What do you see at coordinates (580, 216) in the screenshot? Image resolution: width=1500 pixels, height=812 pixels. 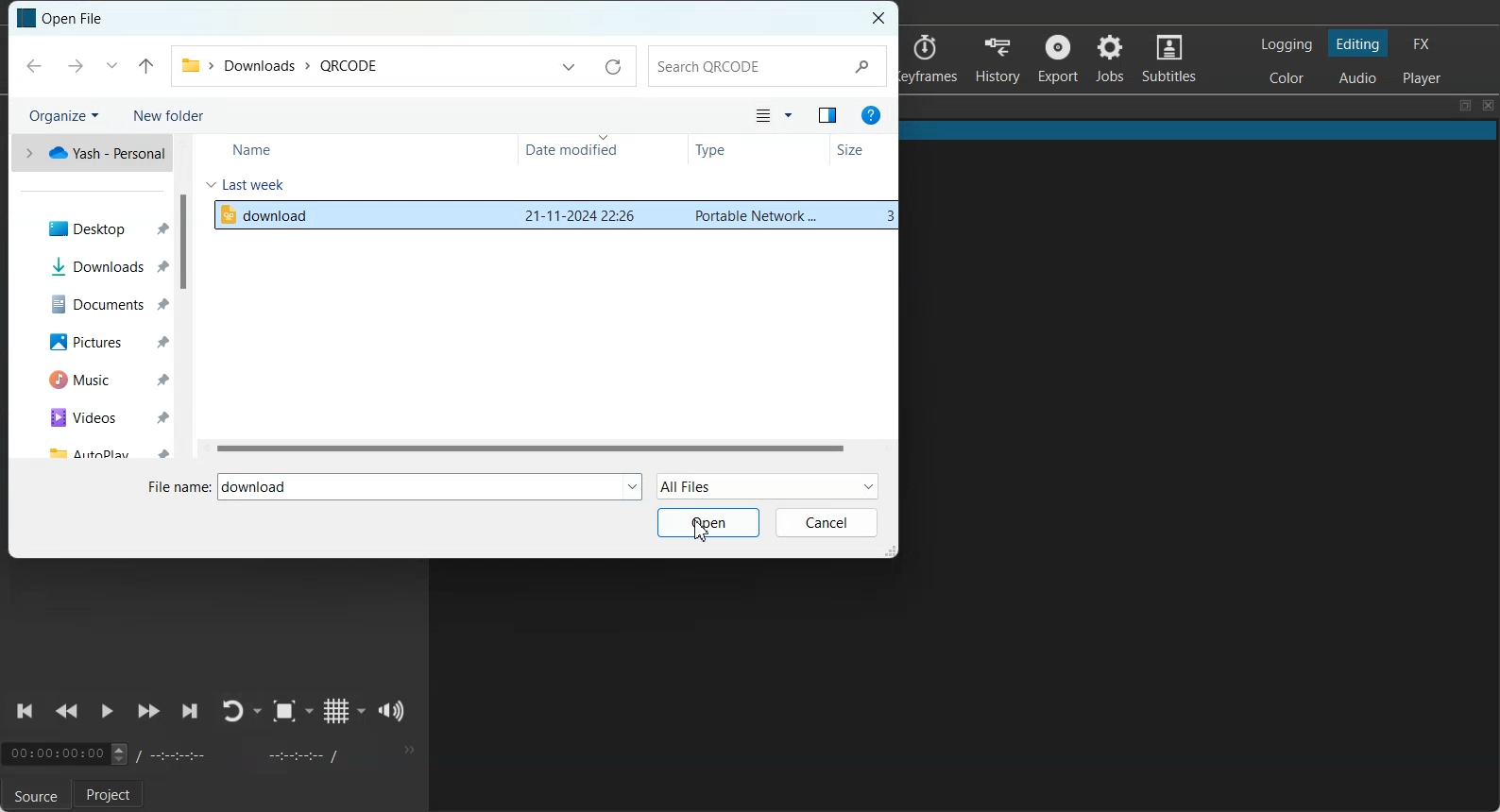 I see `date modified` at bounding box center [580, 216].